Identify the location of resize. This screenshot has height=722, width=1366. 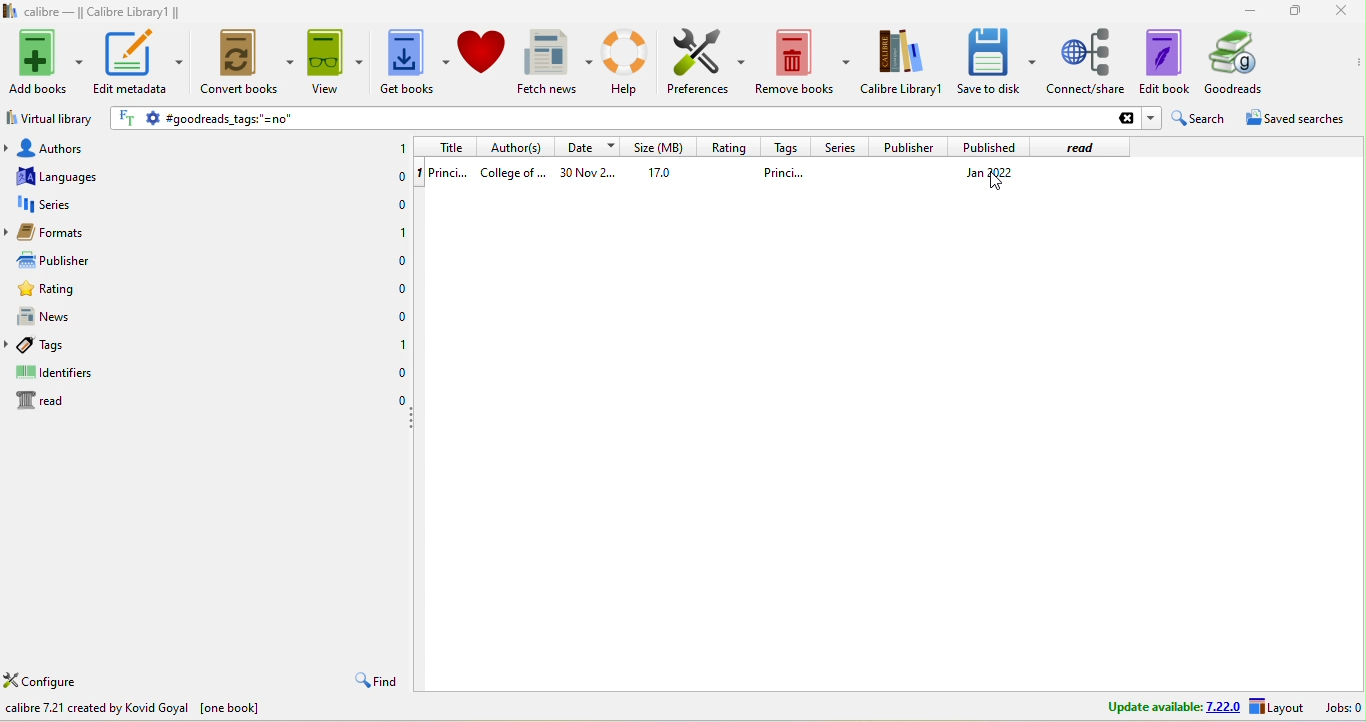
(1294, 10).